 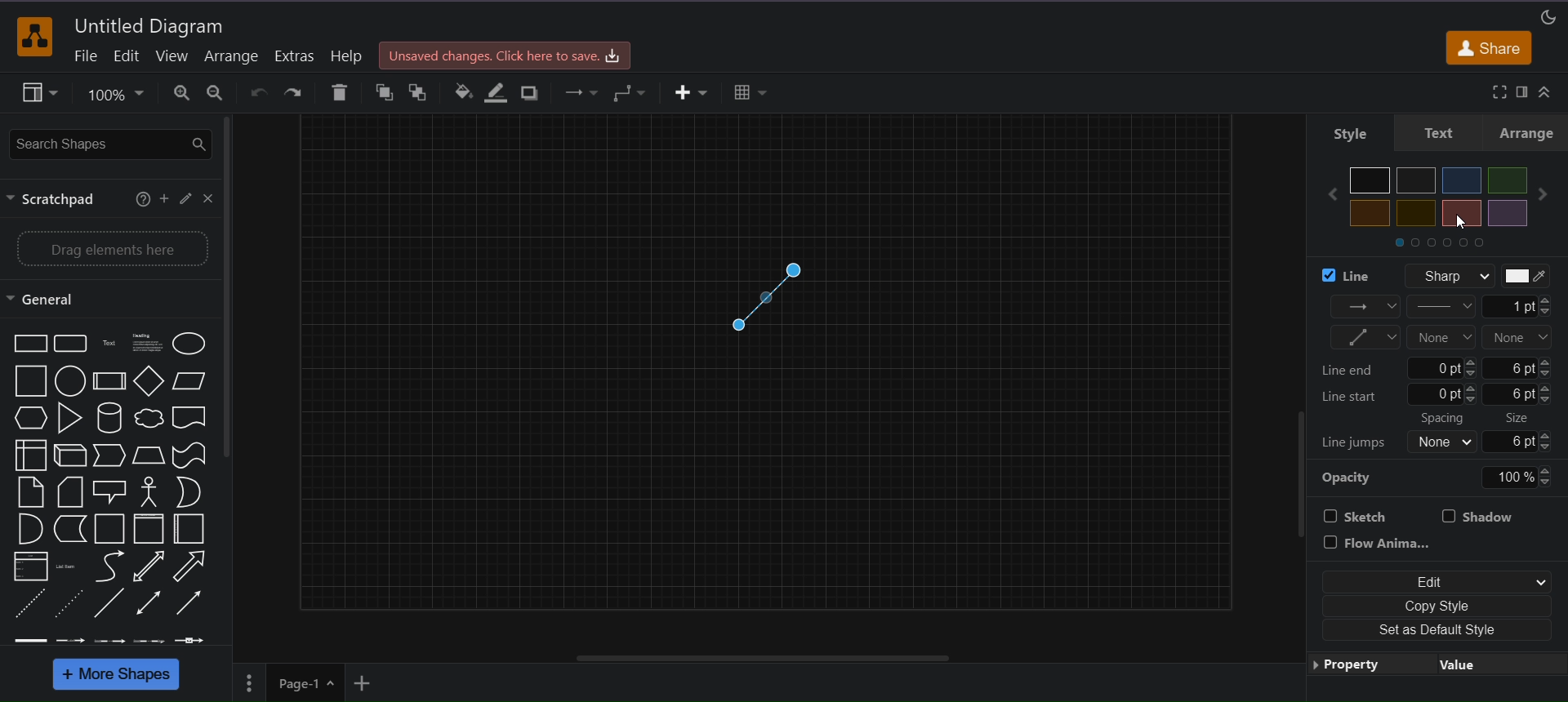 I want to click on shadow, so click(x=532, y=92).